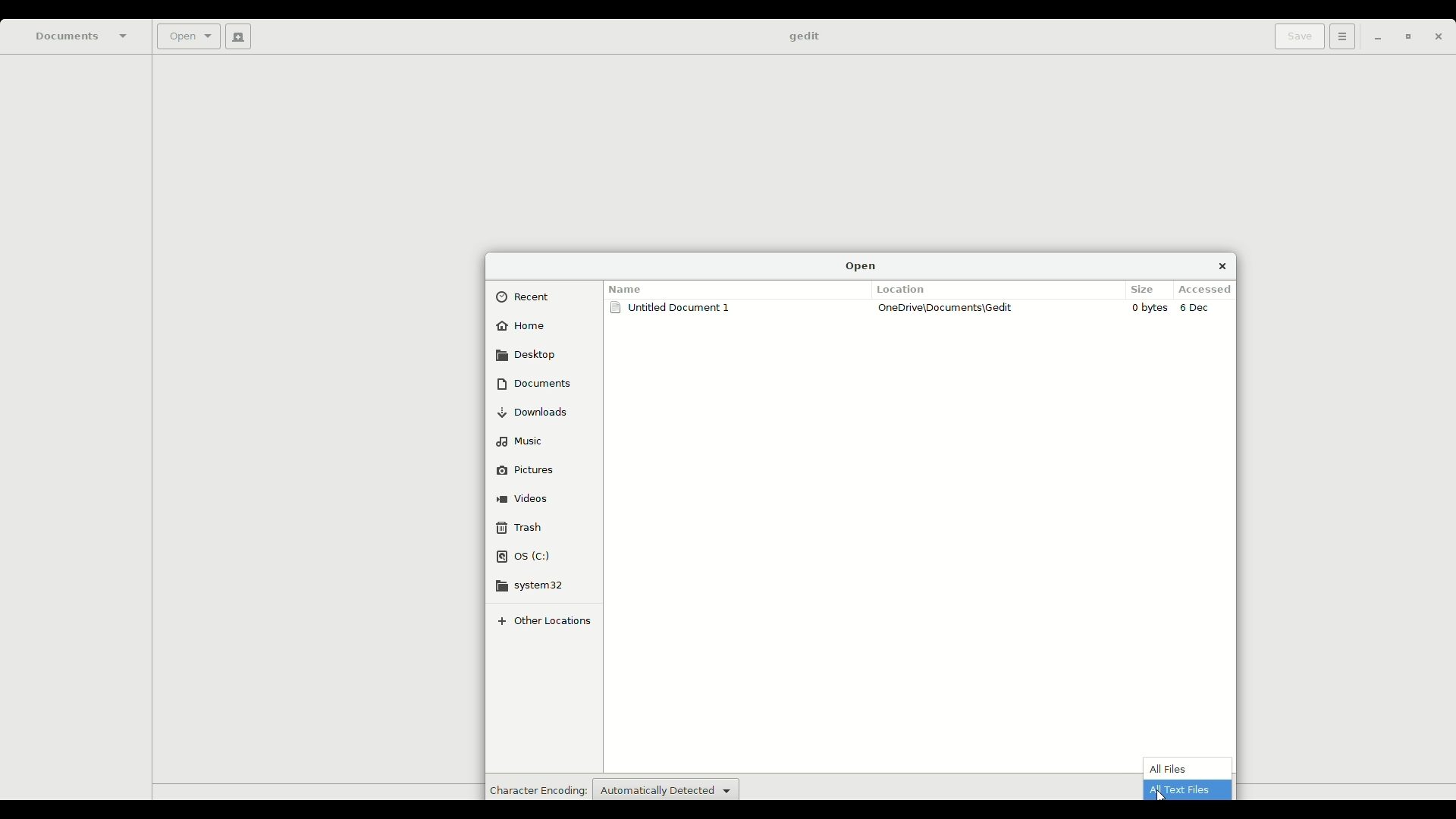 The height and width of the screenshot is (819, 1456). I want to click on Trash, so click(520, 527).